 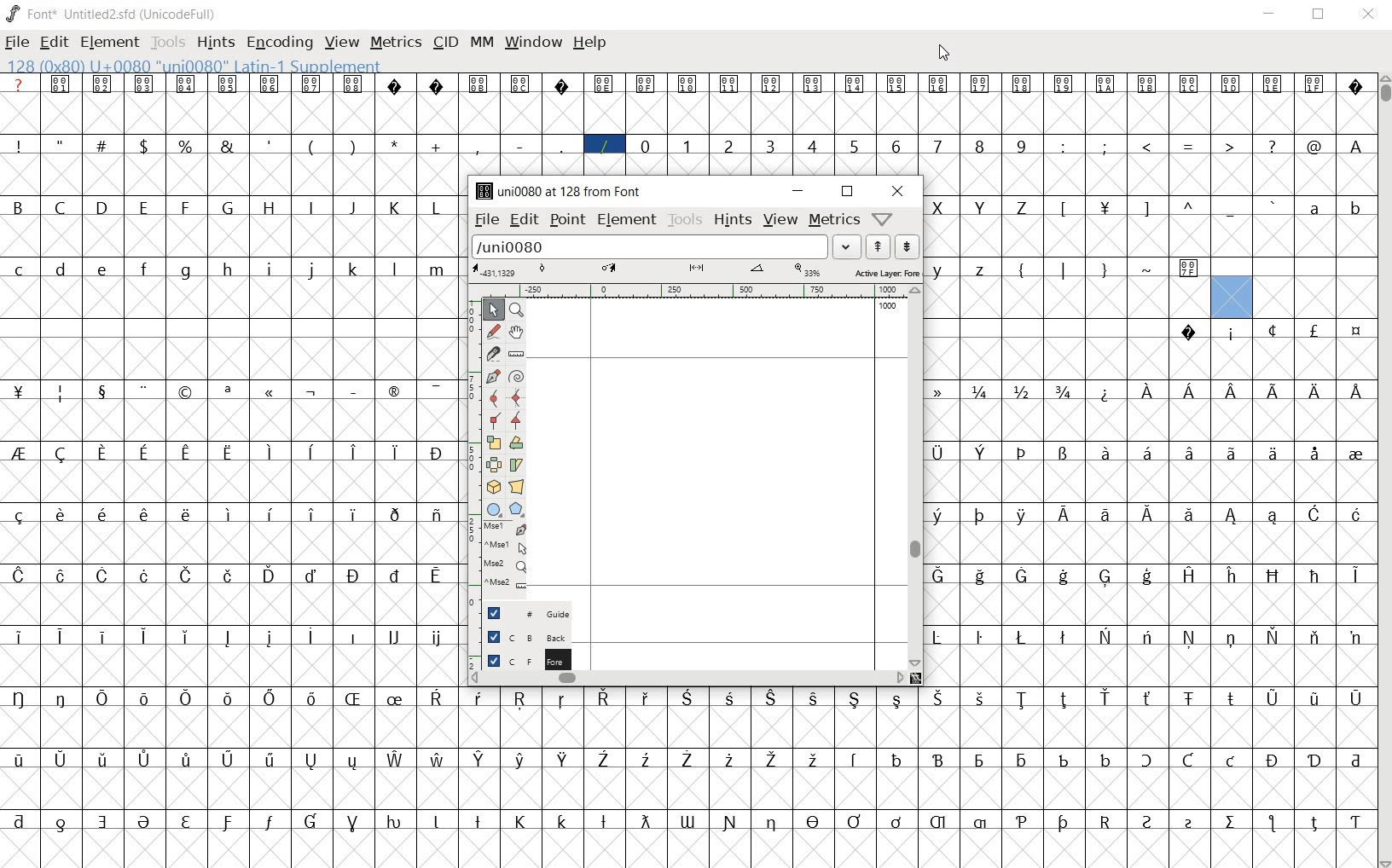 What do you see at coordinates (1063, 700) in the screenshot?
I see `glyph` at bounding box center [1063, 700].